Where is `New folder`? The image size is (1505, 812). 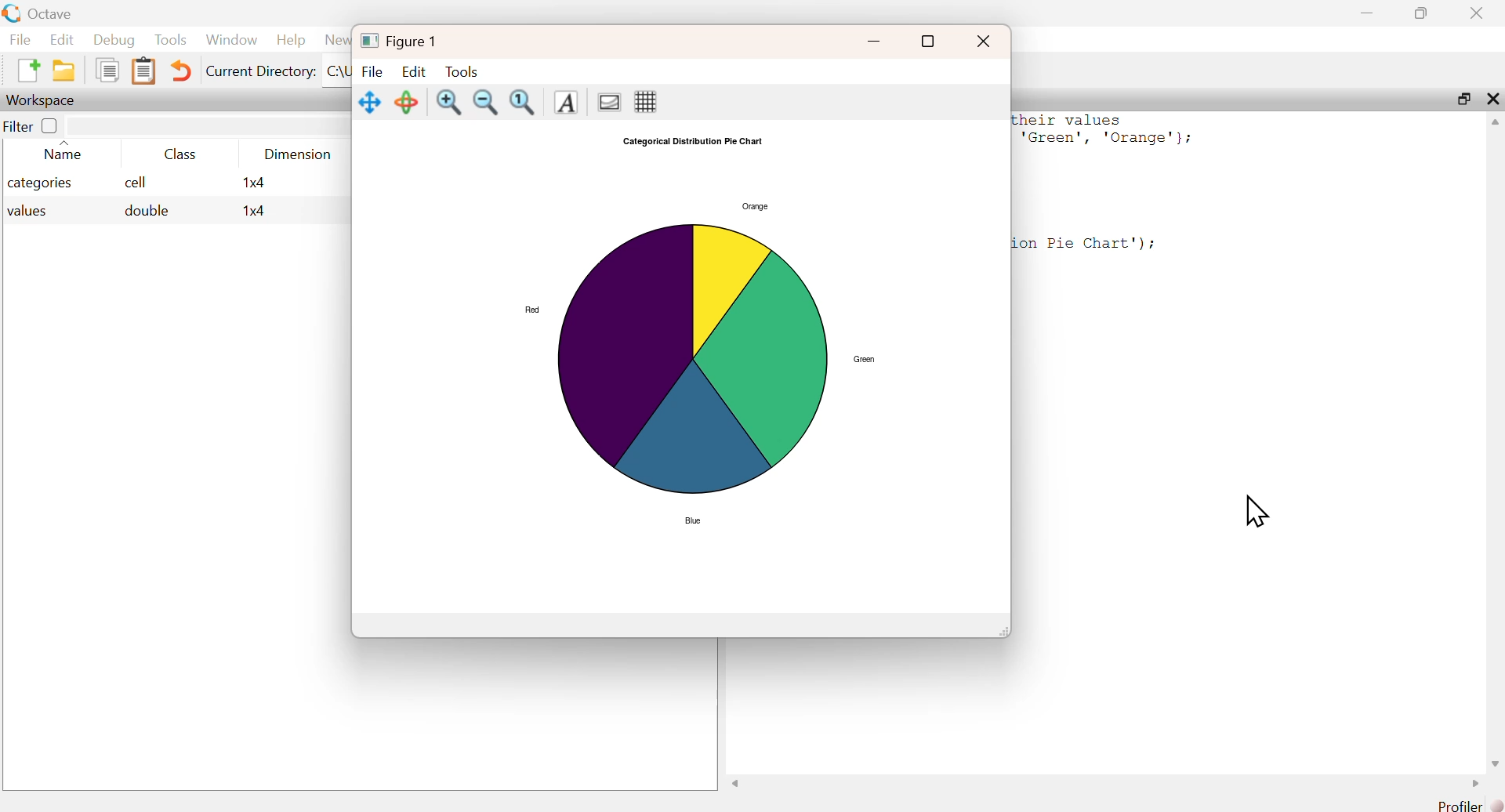
New folder is located at coordinates (65, 70).